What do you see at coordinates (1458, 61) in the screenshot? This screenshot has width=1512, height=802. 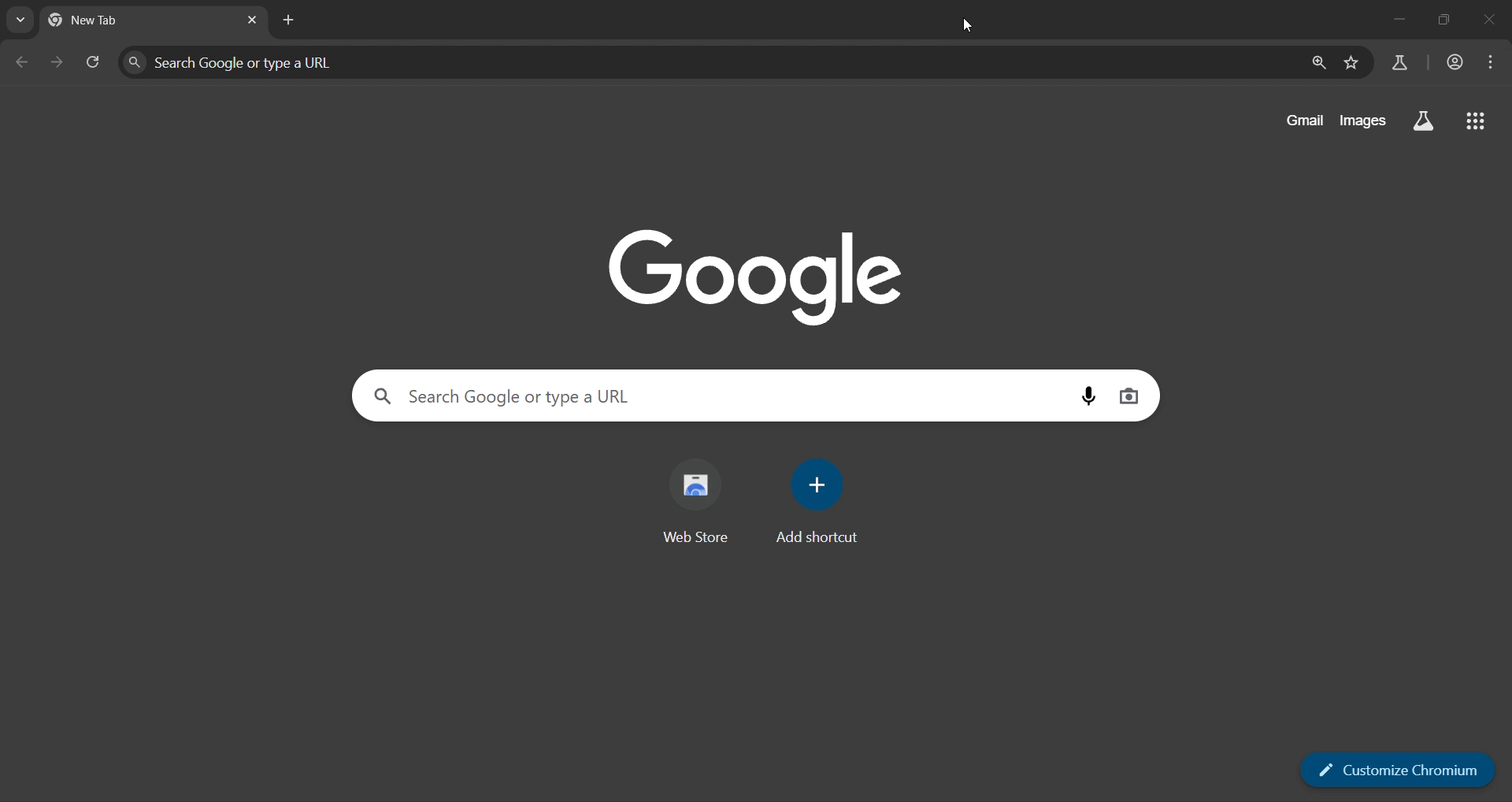 I see `account` at bounding box center [1458, 61].